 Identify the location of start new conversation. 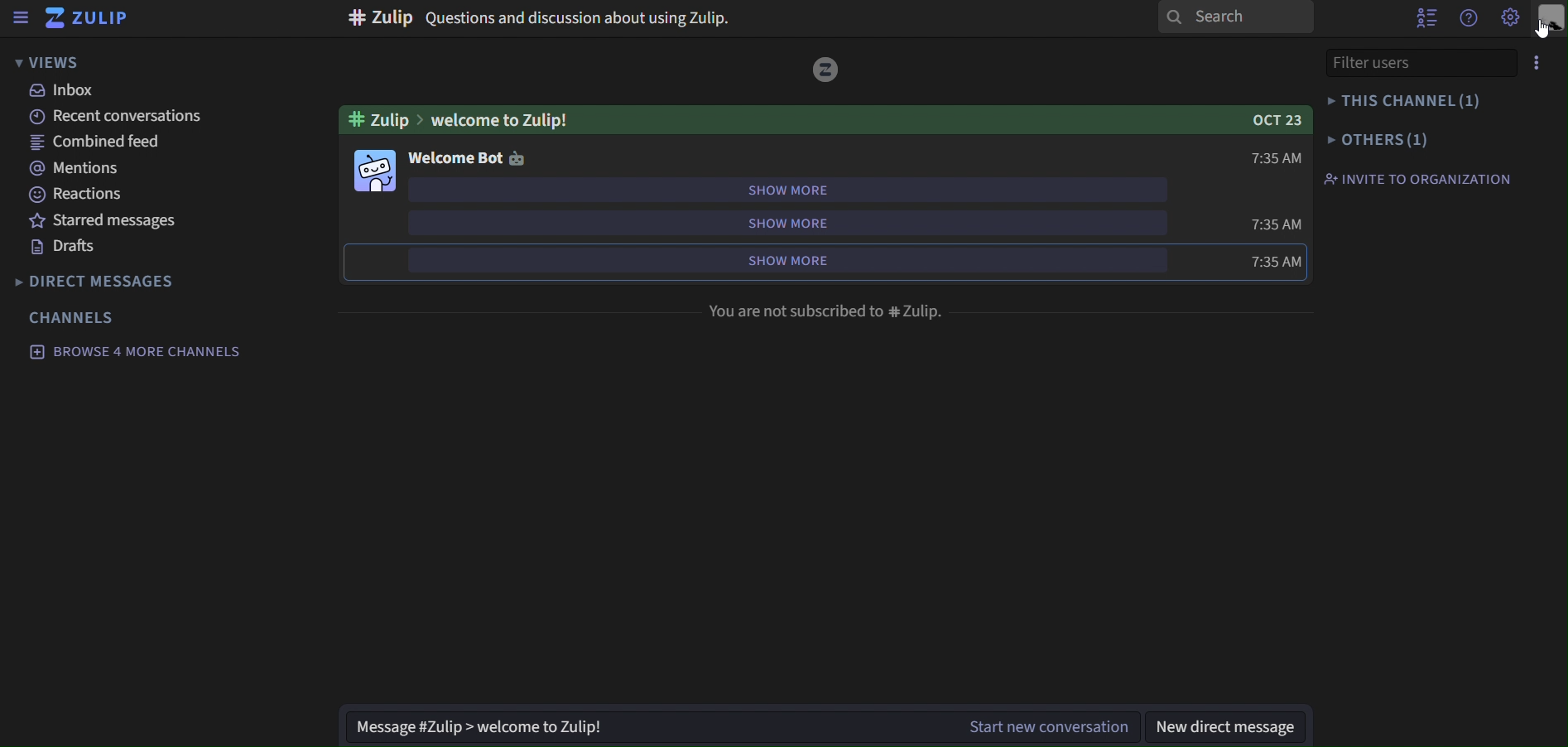
(1056, 726).